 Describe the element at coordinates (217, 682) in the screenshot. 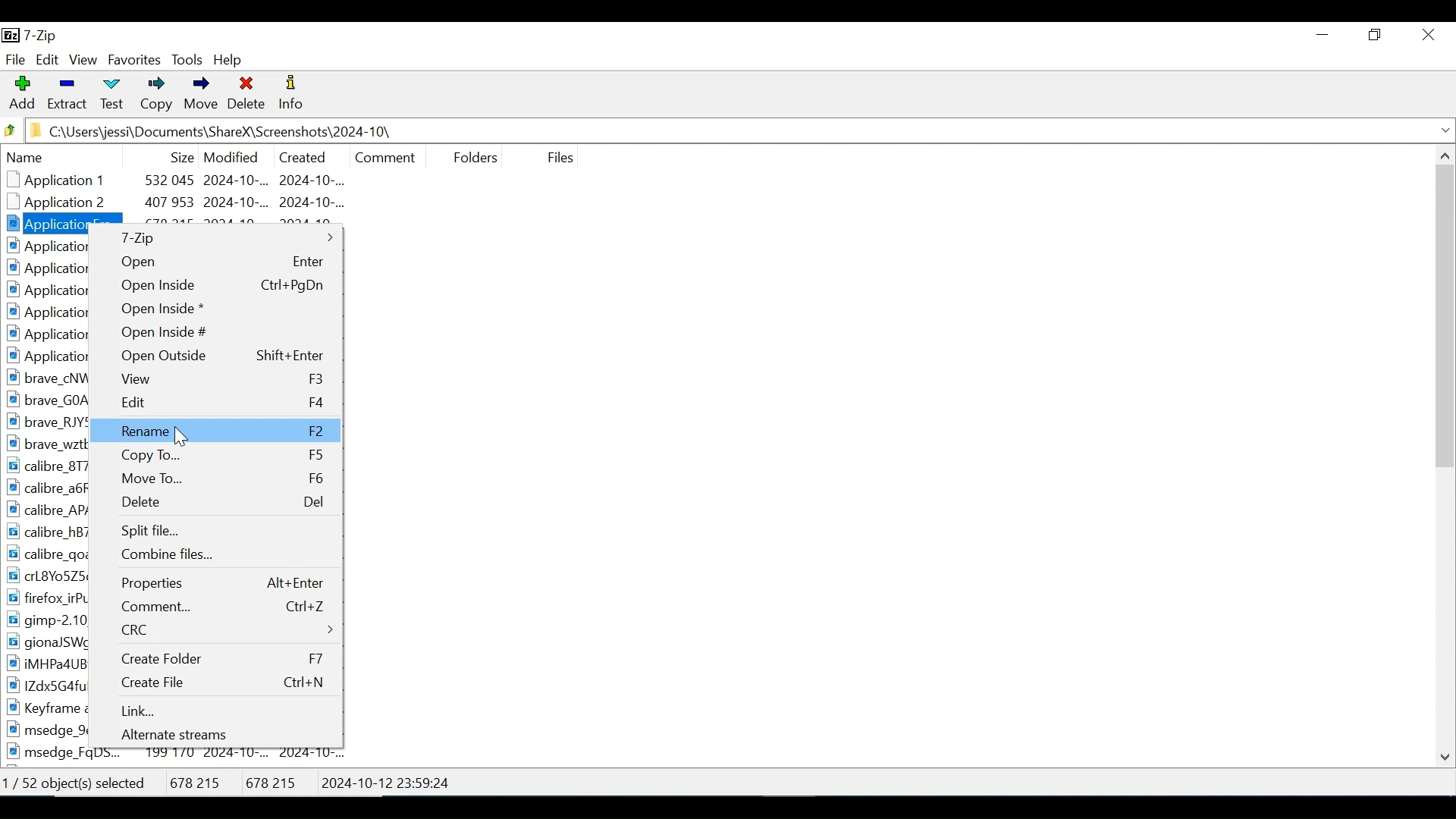

I see `Create File` at that location.